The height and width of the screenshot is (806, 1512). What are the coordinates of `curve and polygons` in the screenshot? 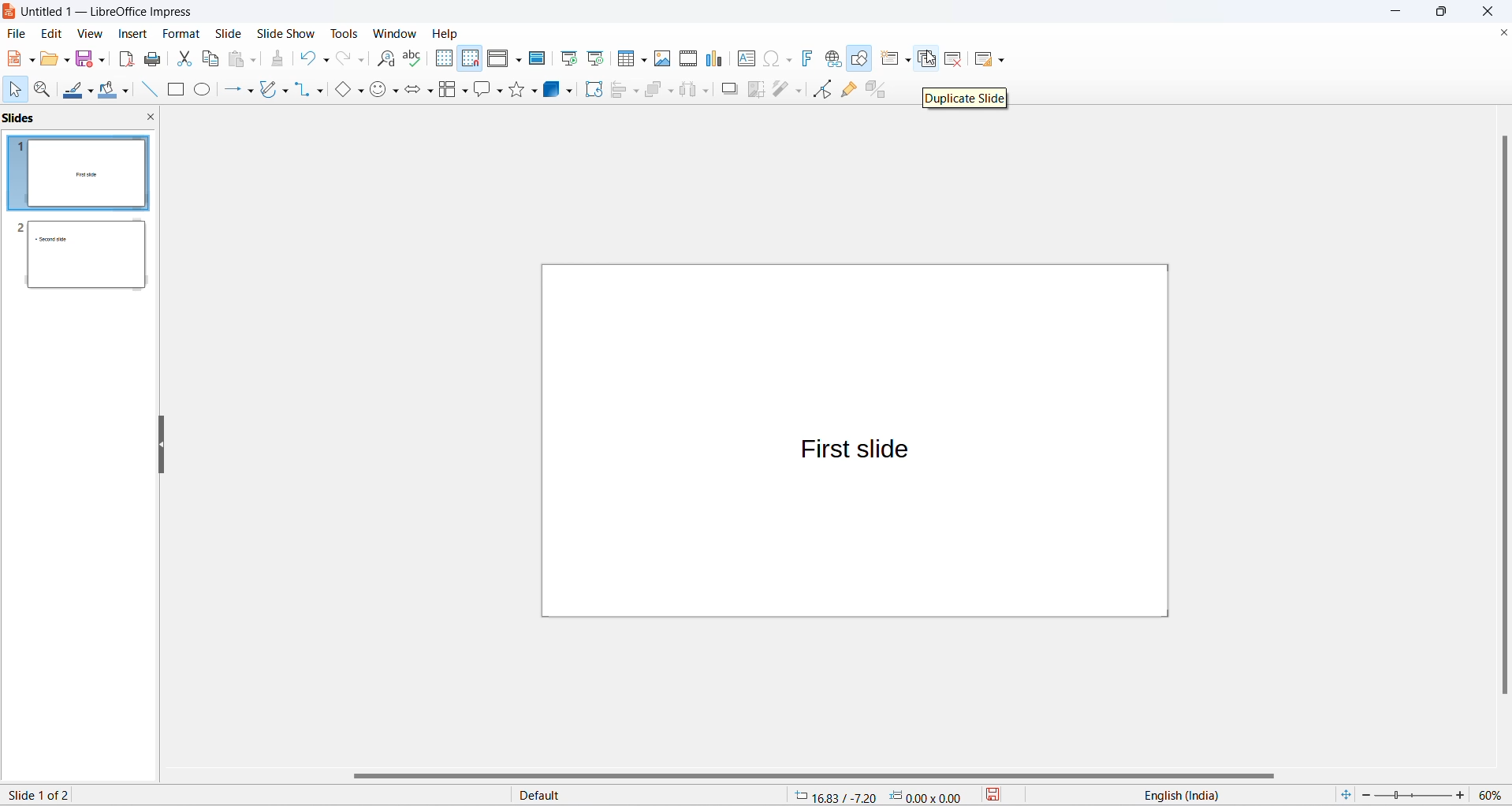 It's located at (269, 91).